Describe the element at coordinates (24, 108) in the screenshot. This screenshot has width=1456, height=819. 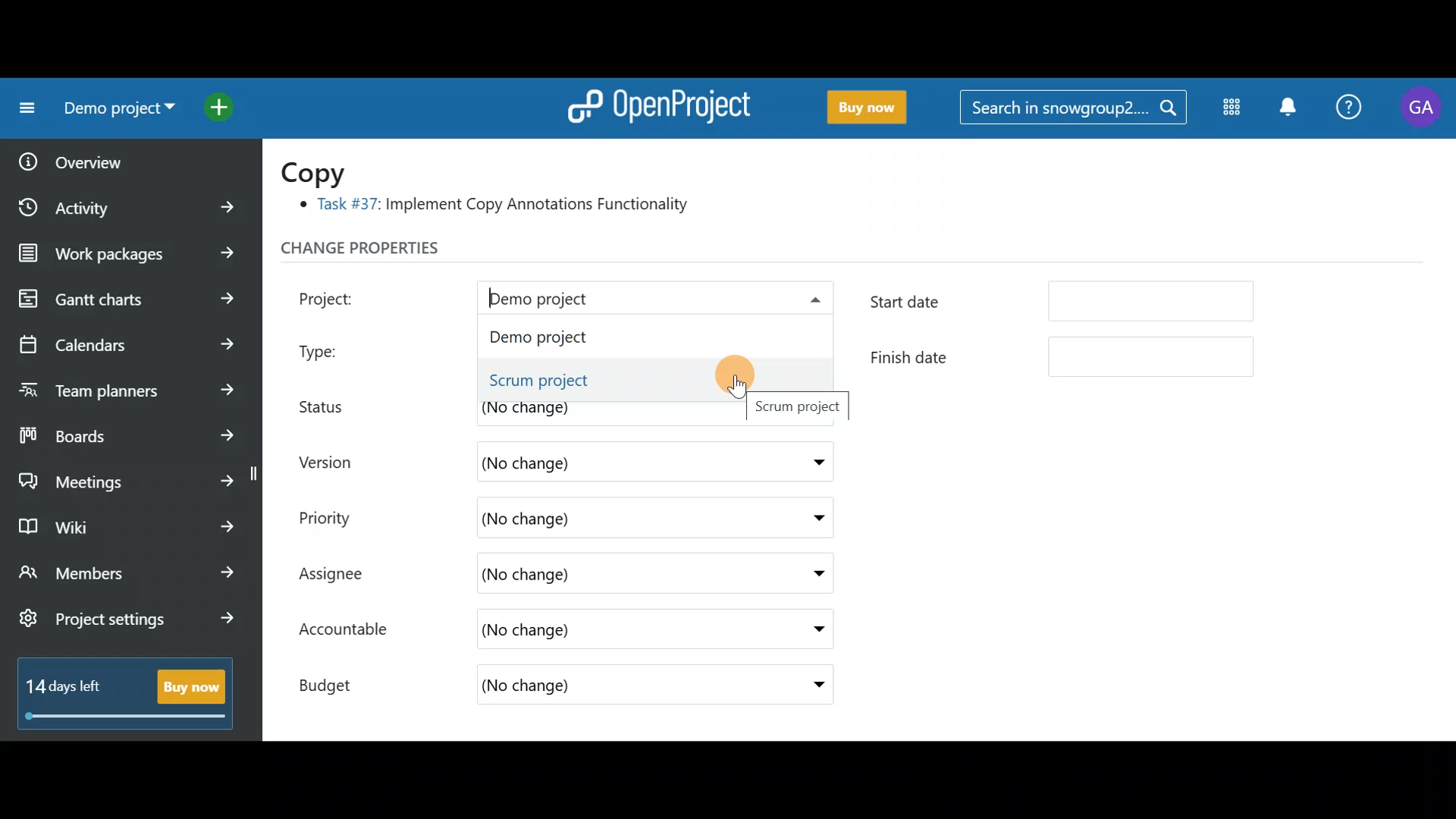
I see `Collapse project menu` at that location.